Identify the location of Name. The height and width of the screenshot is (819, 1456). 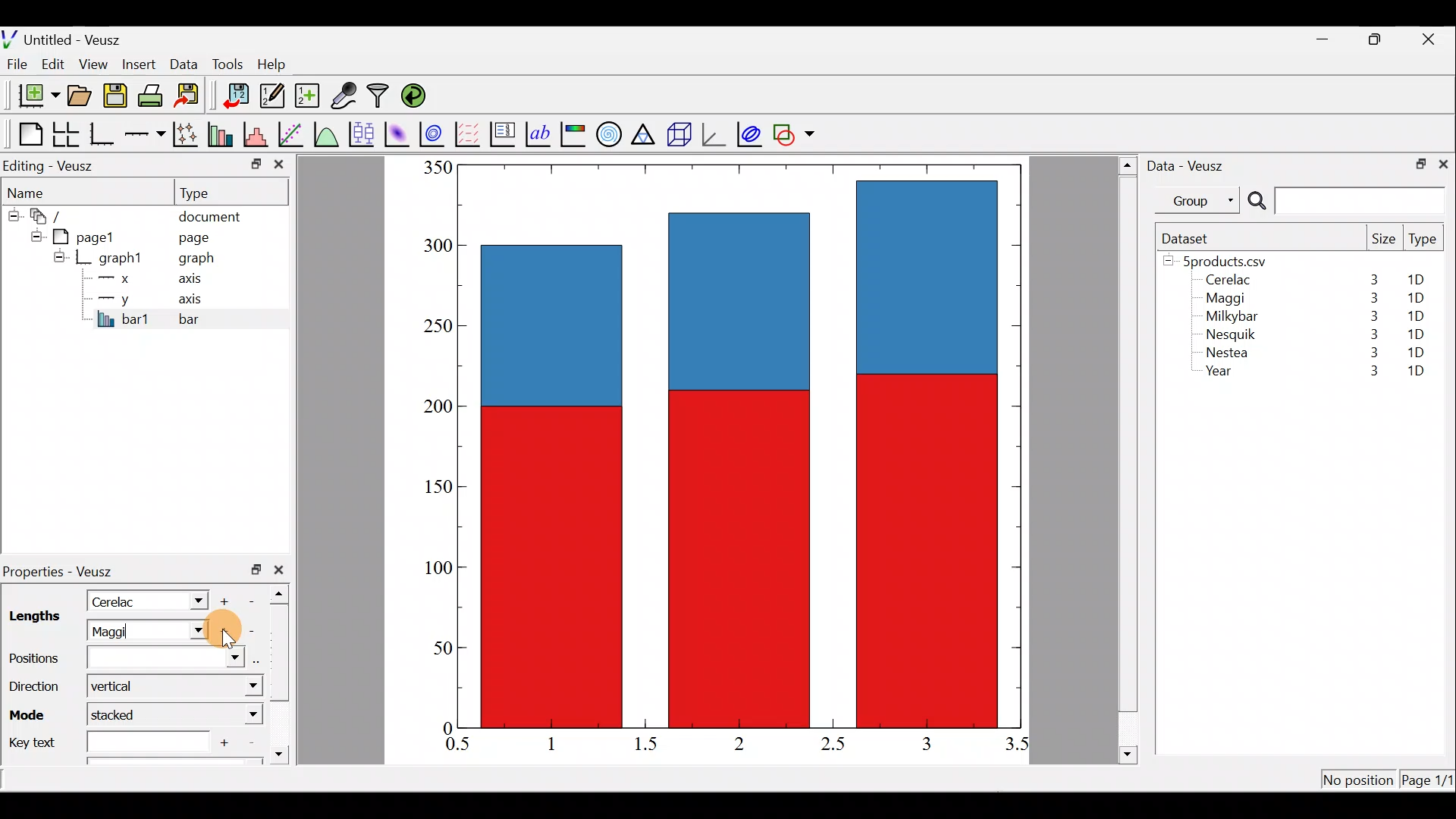
(35, 190).